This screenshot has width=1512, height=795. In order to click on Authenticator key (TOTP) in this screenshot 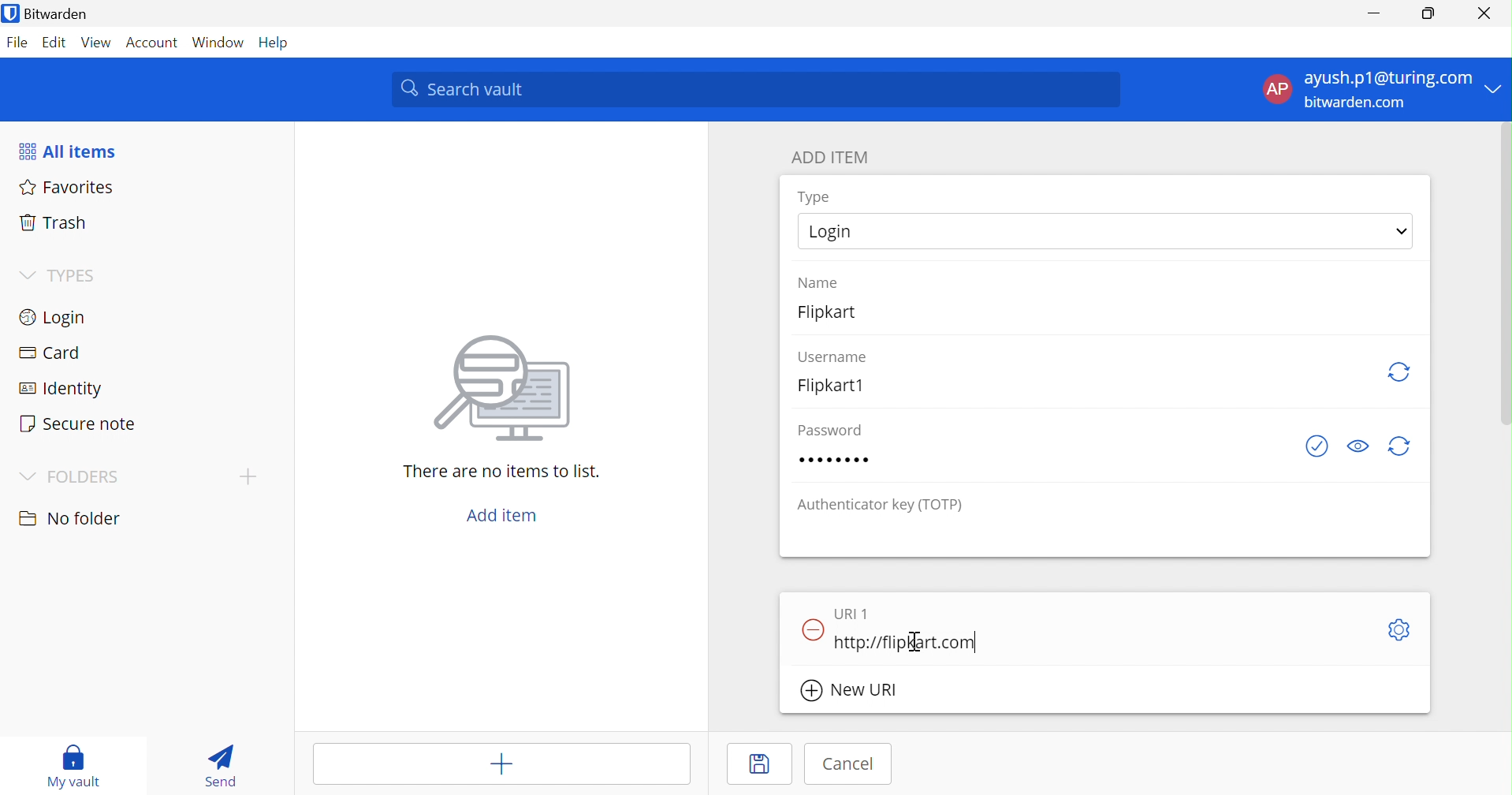, I will do `click(881, 506)`.